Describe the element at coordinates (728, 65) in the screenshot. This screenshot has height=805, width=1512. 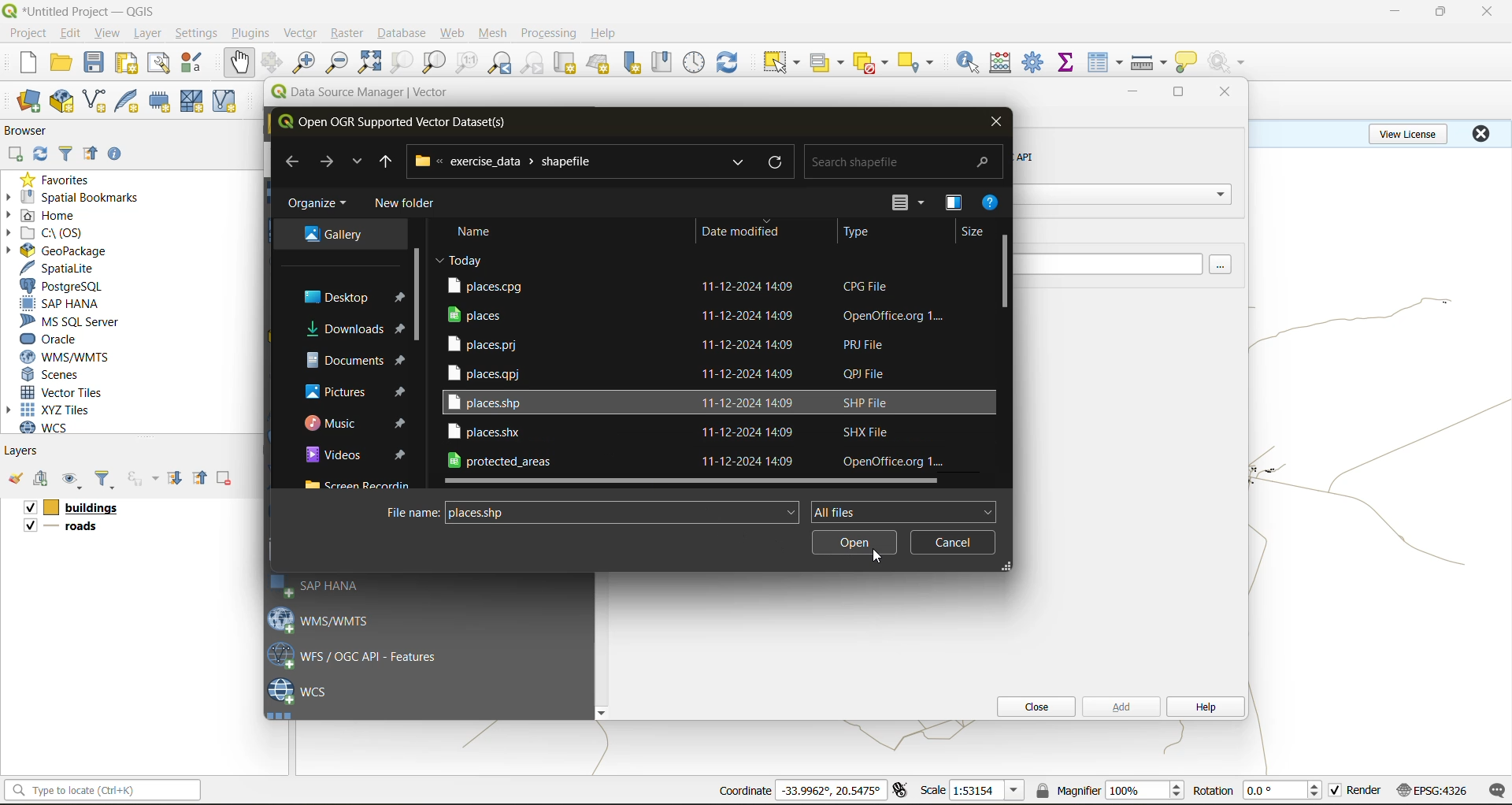
I see `refresh` at that location.